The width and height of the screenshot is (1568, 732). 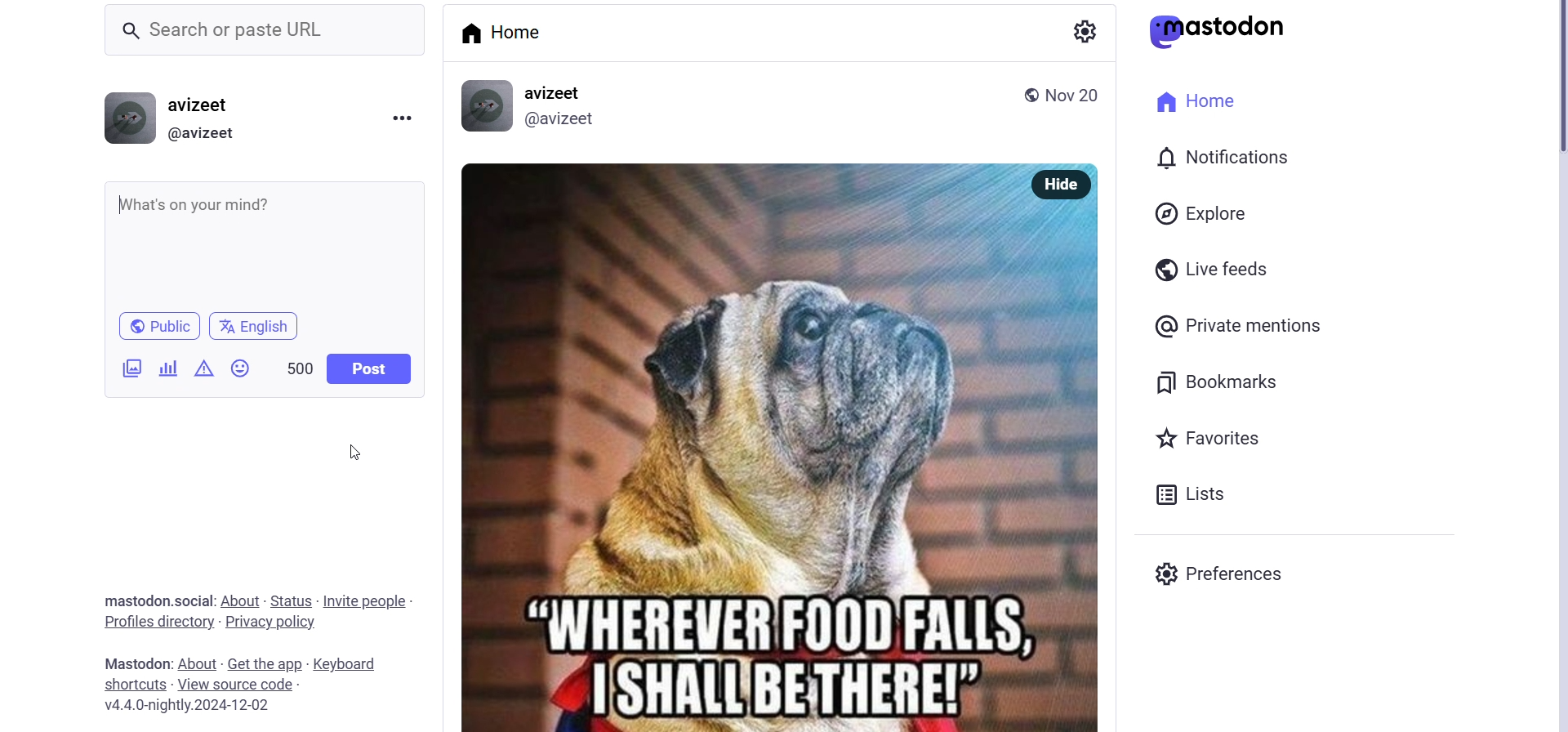 What do you see at coordinates (265, 661) in the screenshot?
I see `get the app` at bounding box center [265, 661].